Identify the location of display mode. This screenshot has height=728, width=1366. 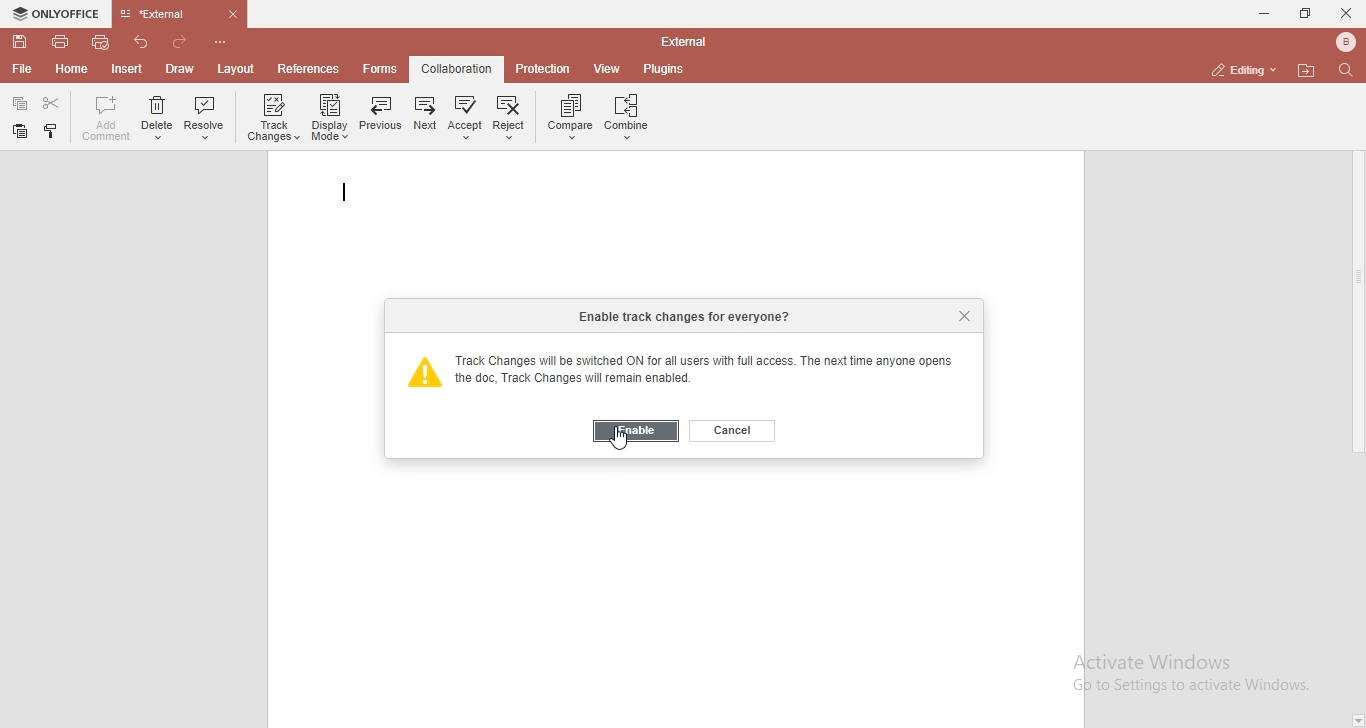
(330, 116).